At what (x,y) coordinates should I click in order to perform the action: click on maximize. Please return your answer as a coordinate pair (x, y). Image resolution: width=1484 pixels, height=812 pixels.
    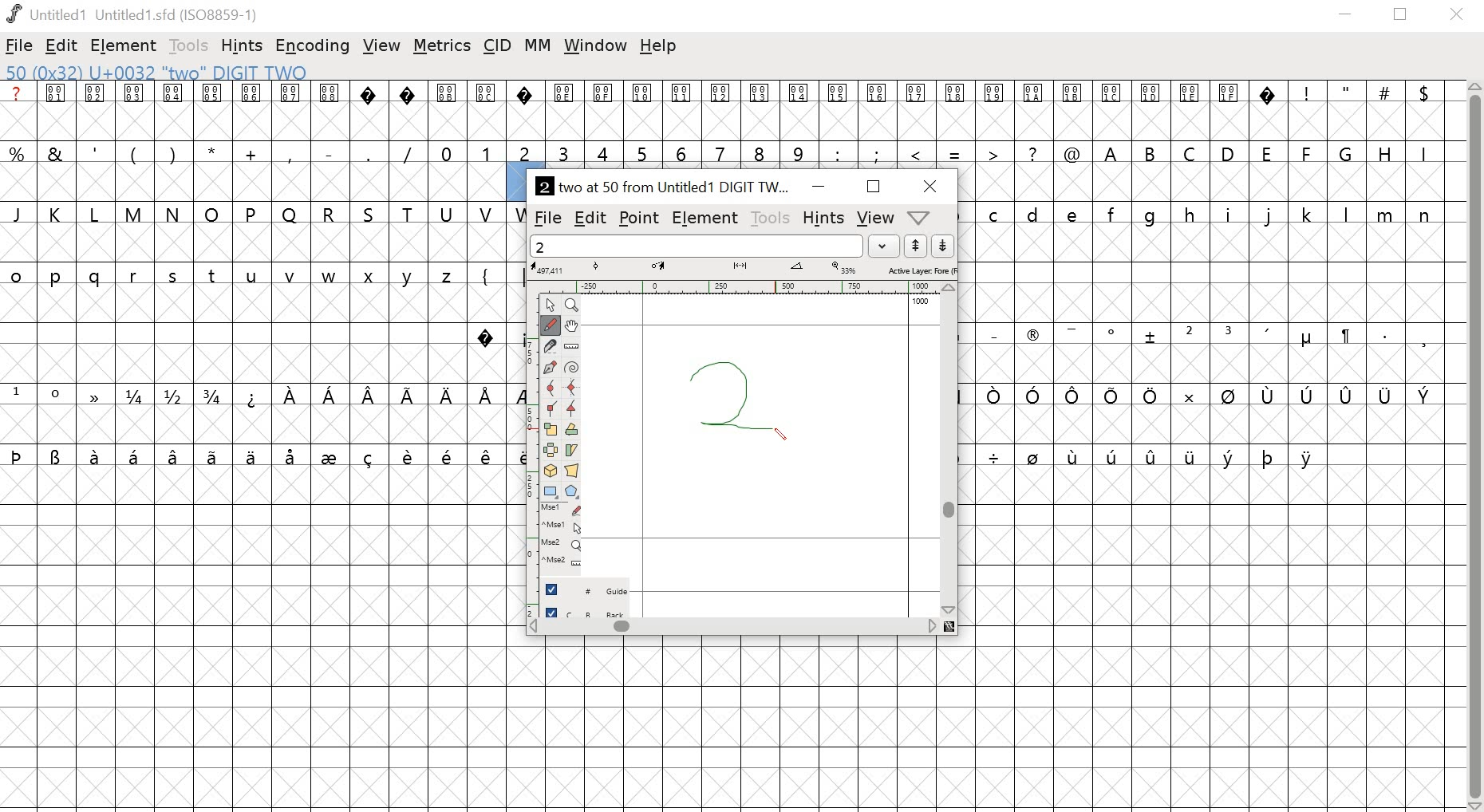
    Looking at the image, I should click on (874, 187).